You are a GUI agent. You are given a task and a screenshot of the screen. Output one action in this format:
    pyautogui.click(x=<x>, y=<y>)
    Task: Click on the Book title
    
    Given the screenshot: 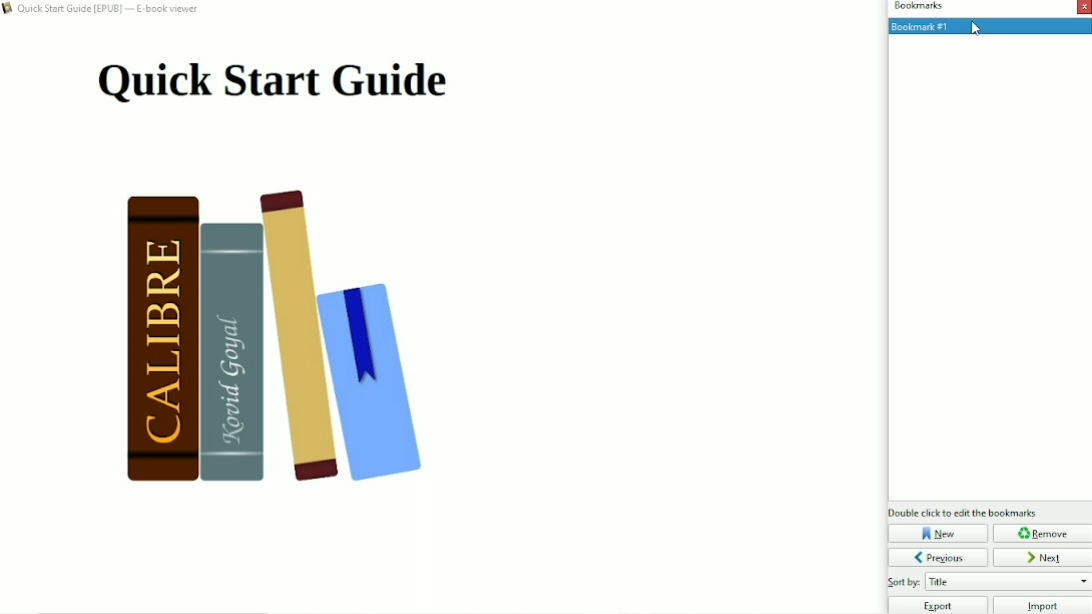 What is the action you would take?
    pyautogui.click(x=112, y=9)
    